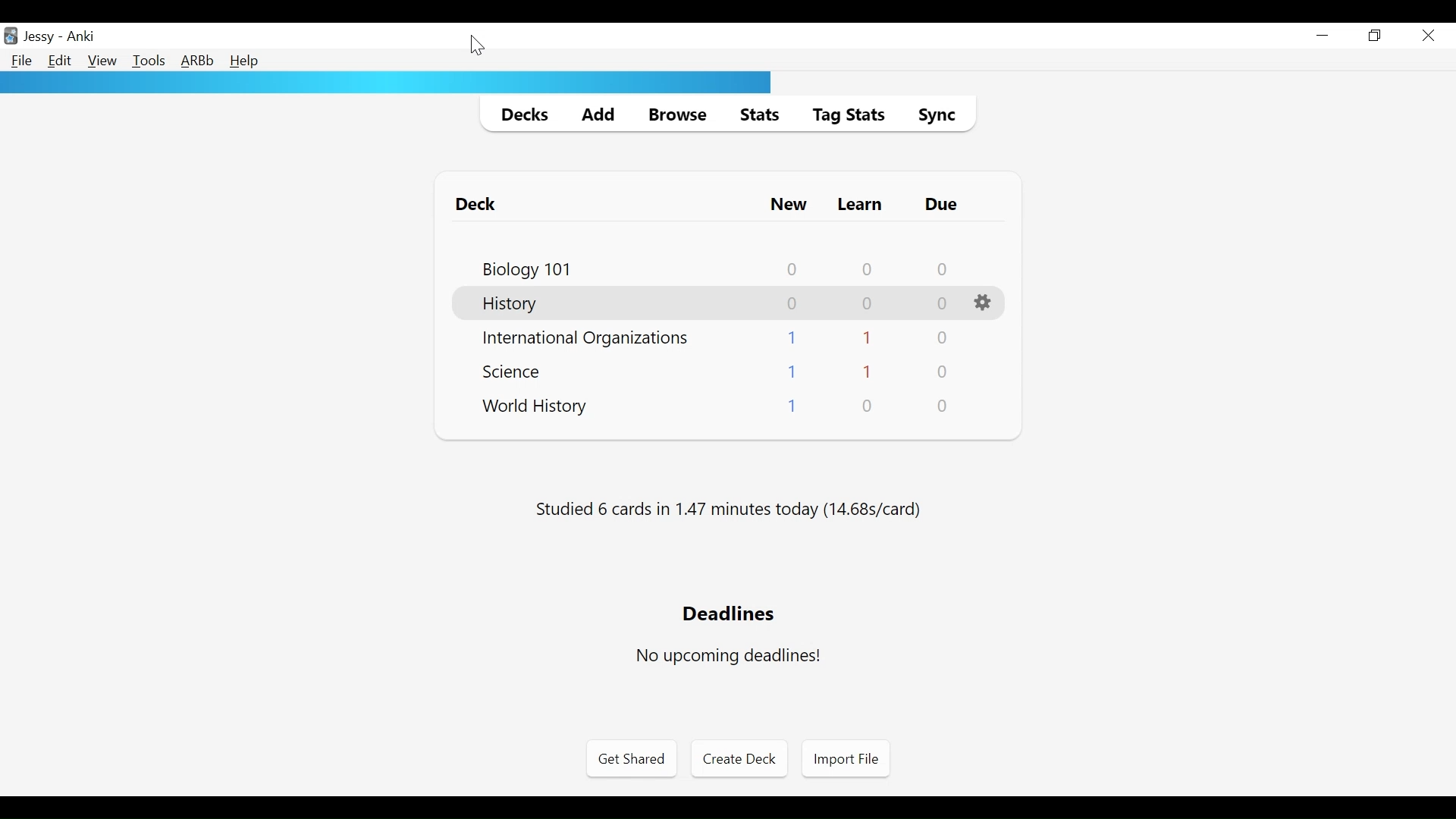 This screenshot has height=819, width=1456. I want to click on Tag Stats, so click(848, 115).